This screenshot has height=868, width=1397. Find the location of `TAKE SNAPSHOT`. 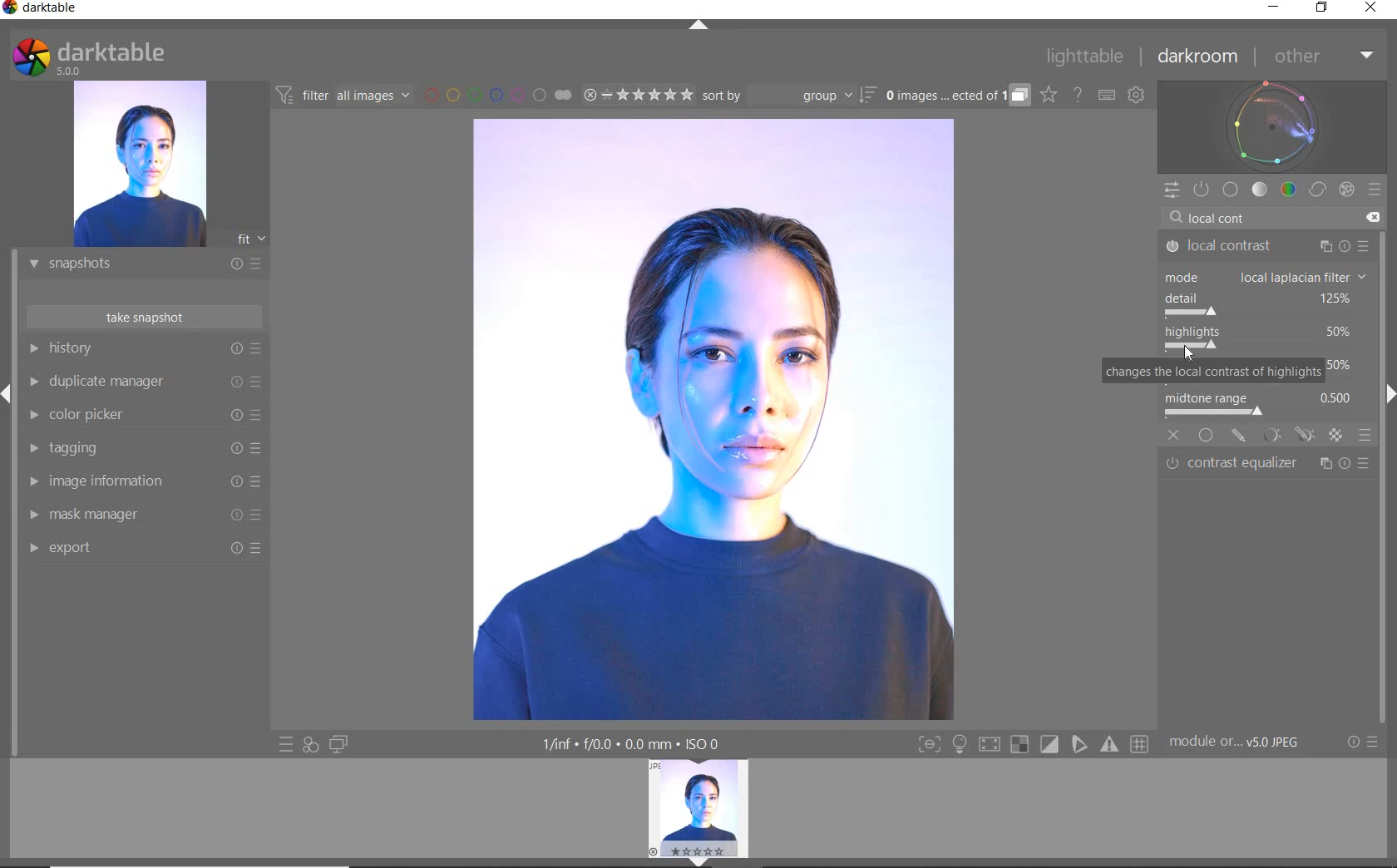

TAKE SNAPSHOT is located at coordinates (143, 316).